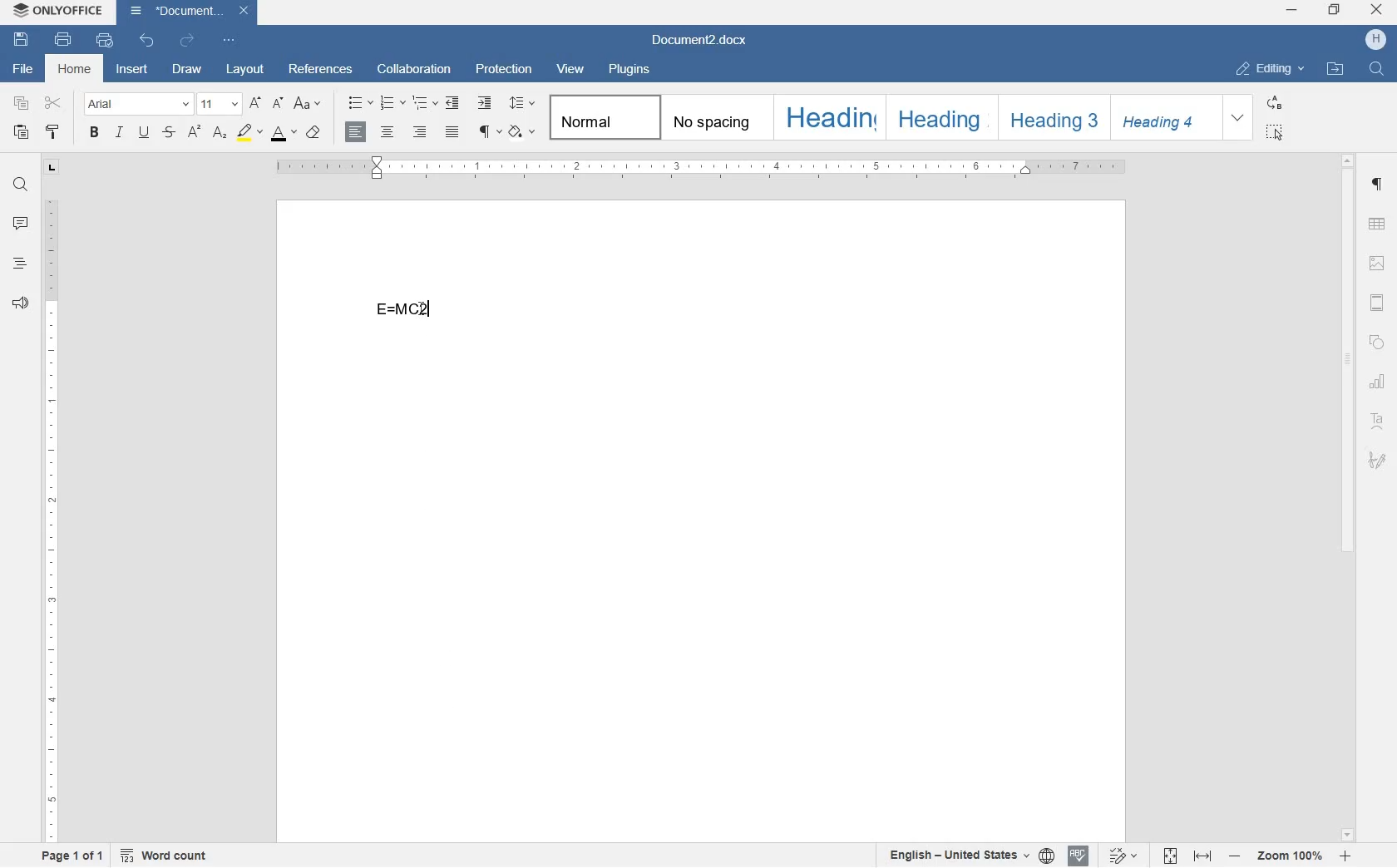  What do you see at coordinates (1276, 104) in the screenshot?
I see `replace` at bounding box center [1276, 104].